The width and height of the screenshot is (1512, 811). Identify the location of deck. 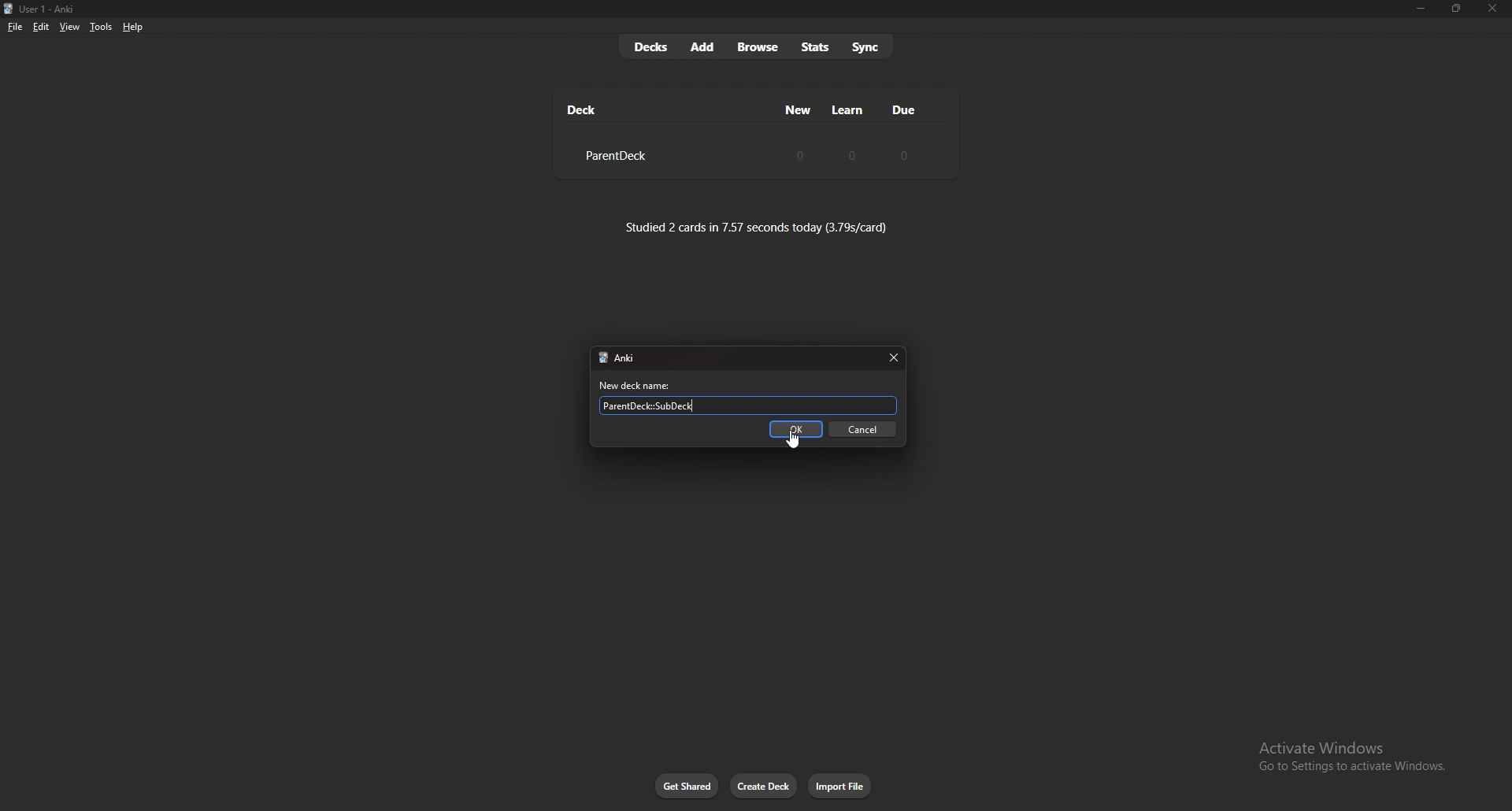
(583, 109).